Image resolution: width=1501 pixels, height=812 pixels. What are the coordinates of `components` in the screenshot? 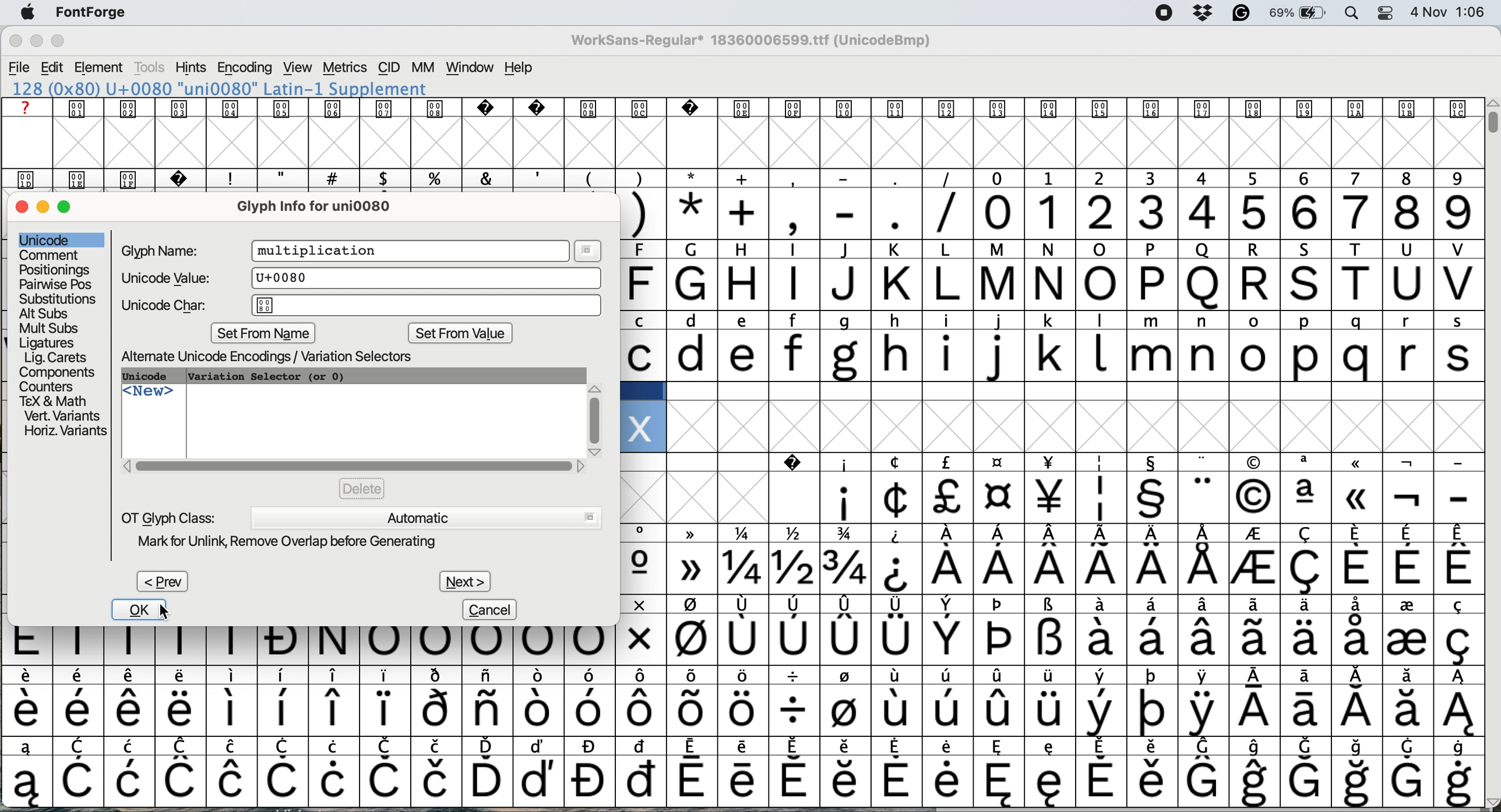 It's located at (61, 372).